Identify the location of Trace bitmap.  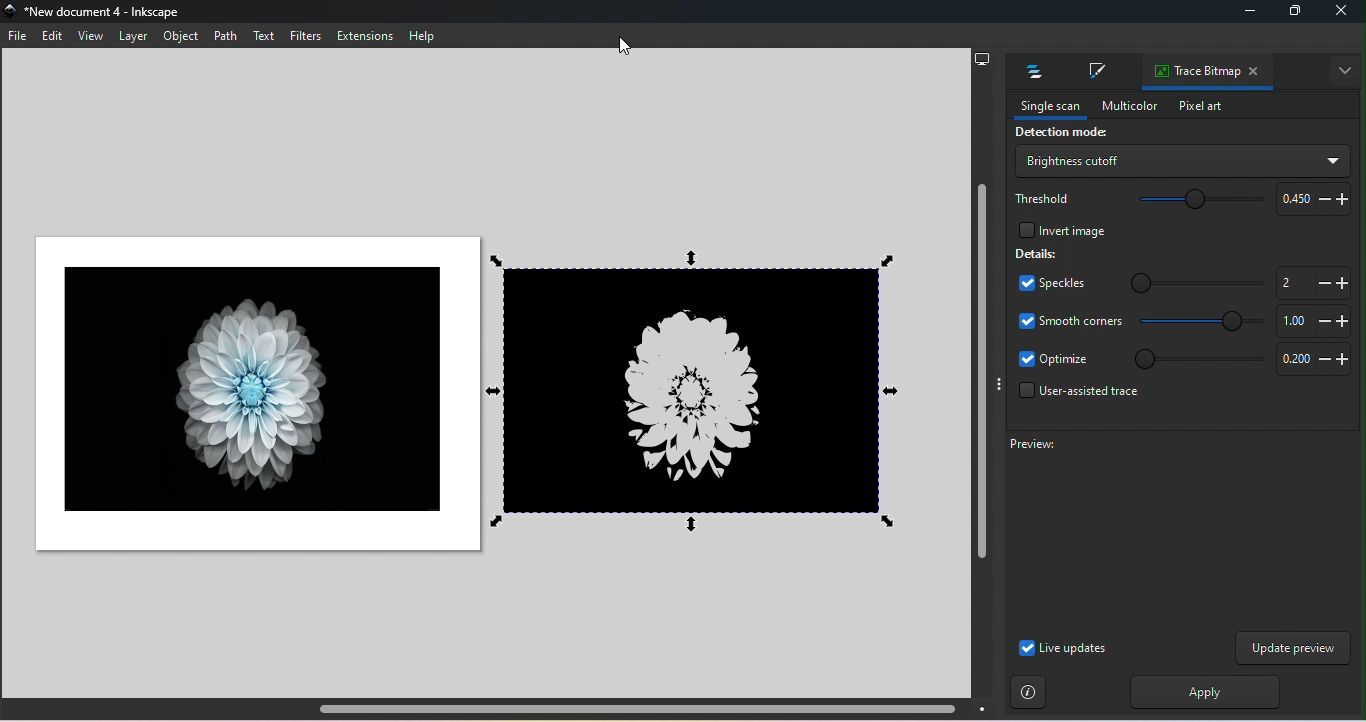
(1191, 72).